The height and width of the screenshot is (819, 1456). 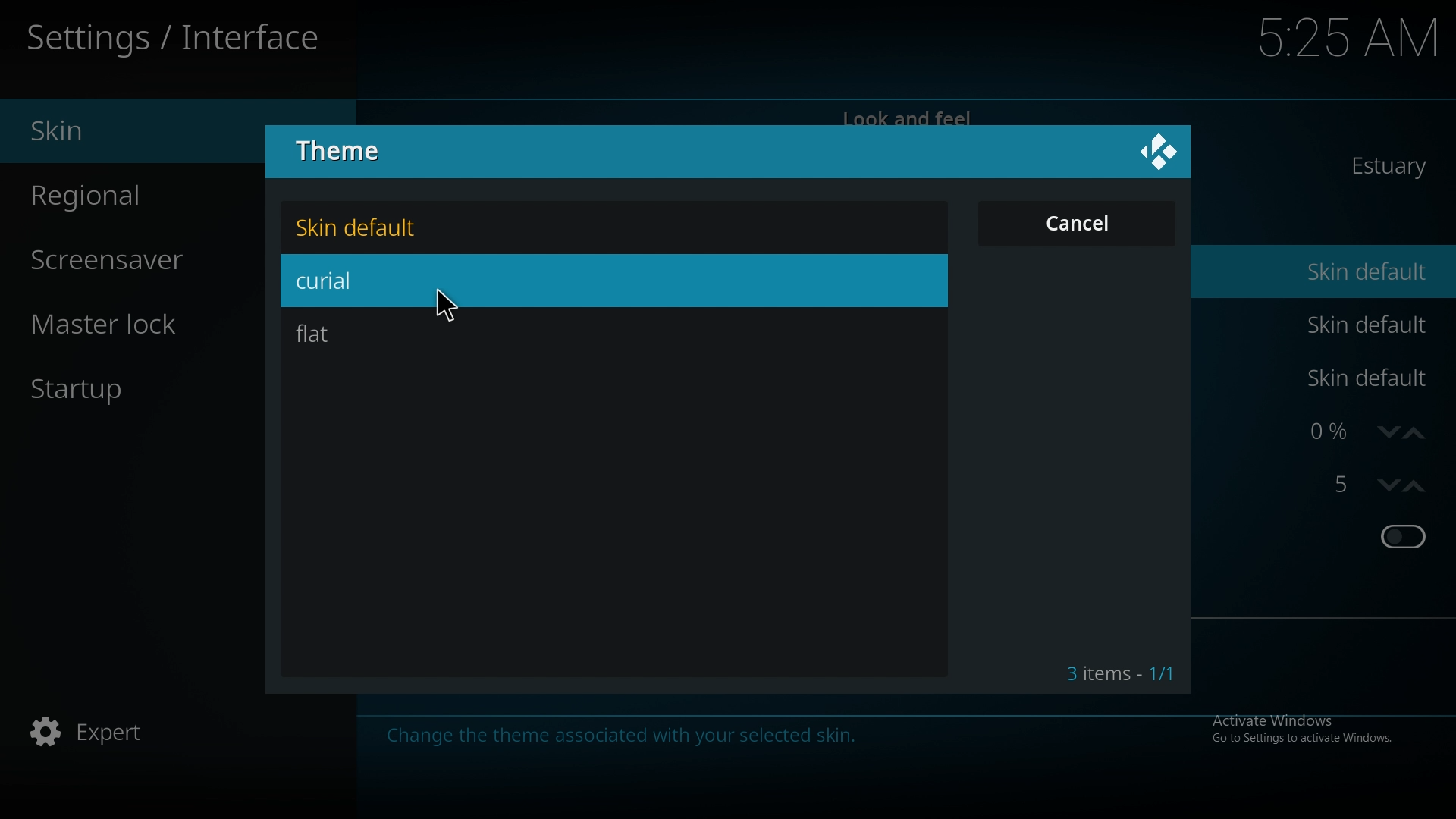 I want to click on skin default, so click(x=373, y=229).